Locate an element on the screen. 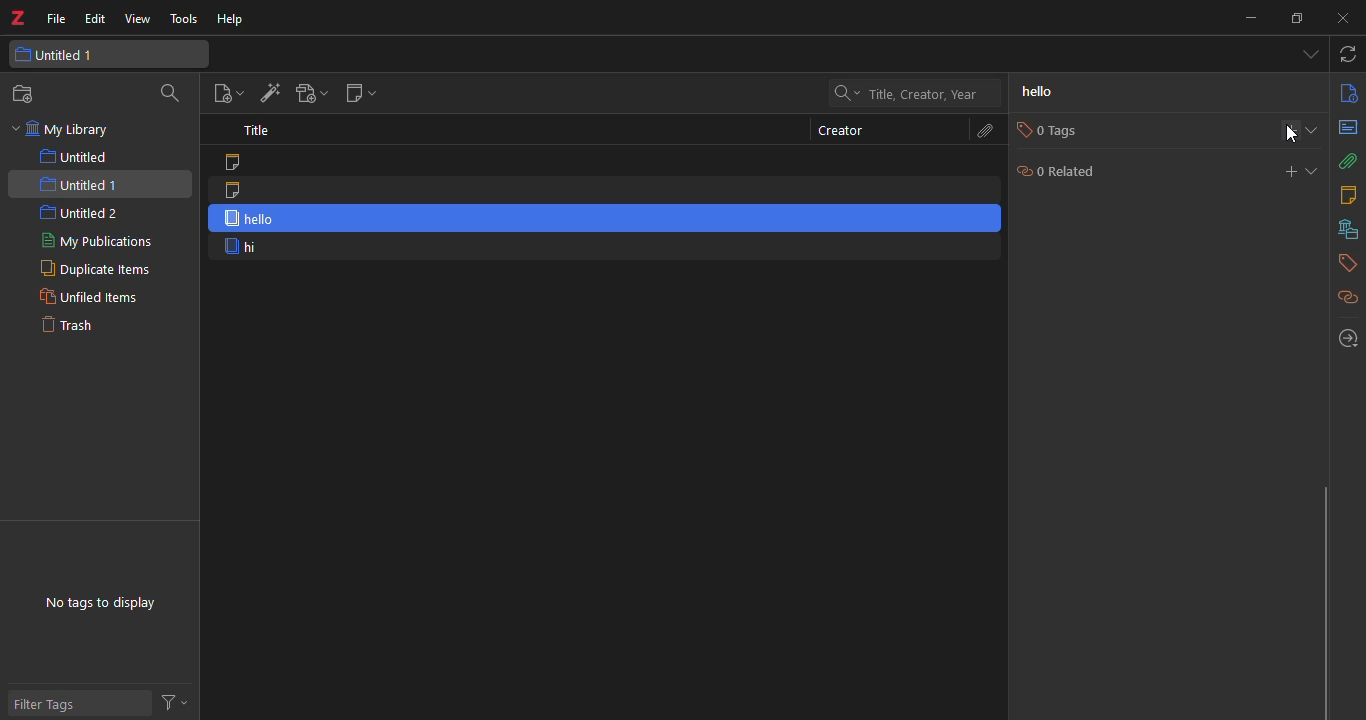 The image size is (1366, 720). hi is located at coordinates (243, 247).